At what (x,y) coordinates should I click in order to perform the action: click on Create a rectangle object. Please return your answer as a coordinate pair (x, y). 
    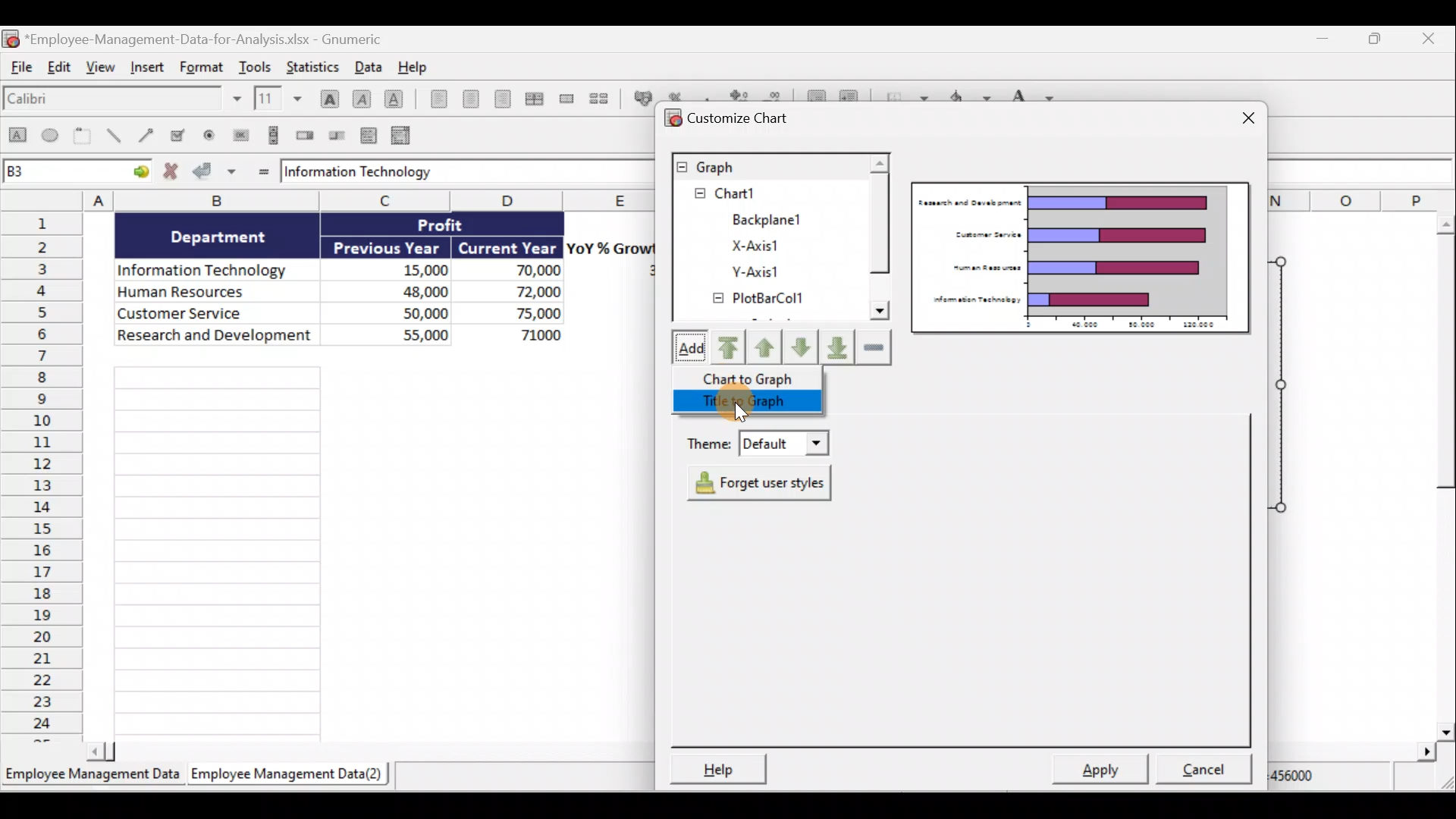
    Looking at the image, I should click on (17, 136).